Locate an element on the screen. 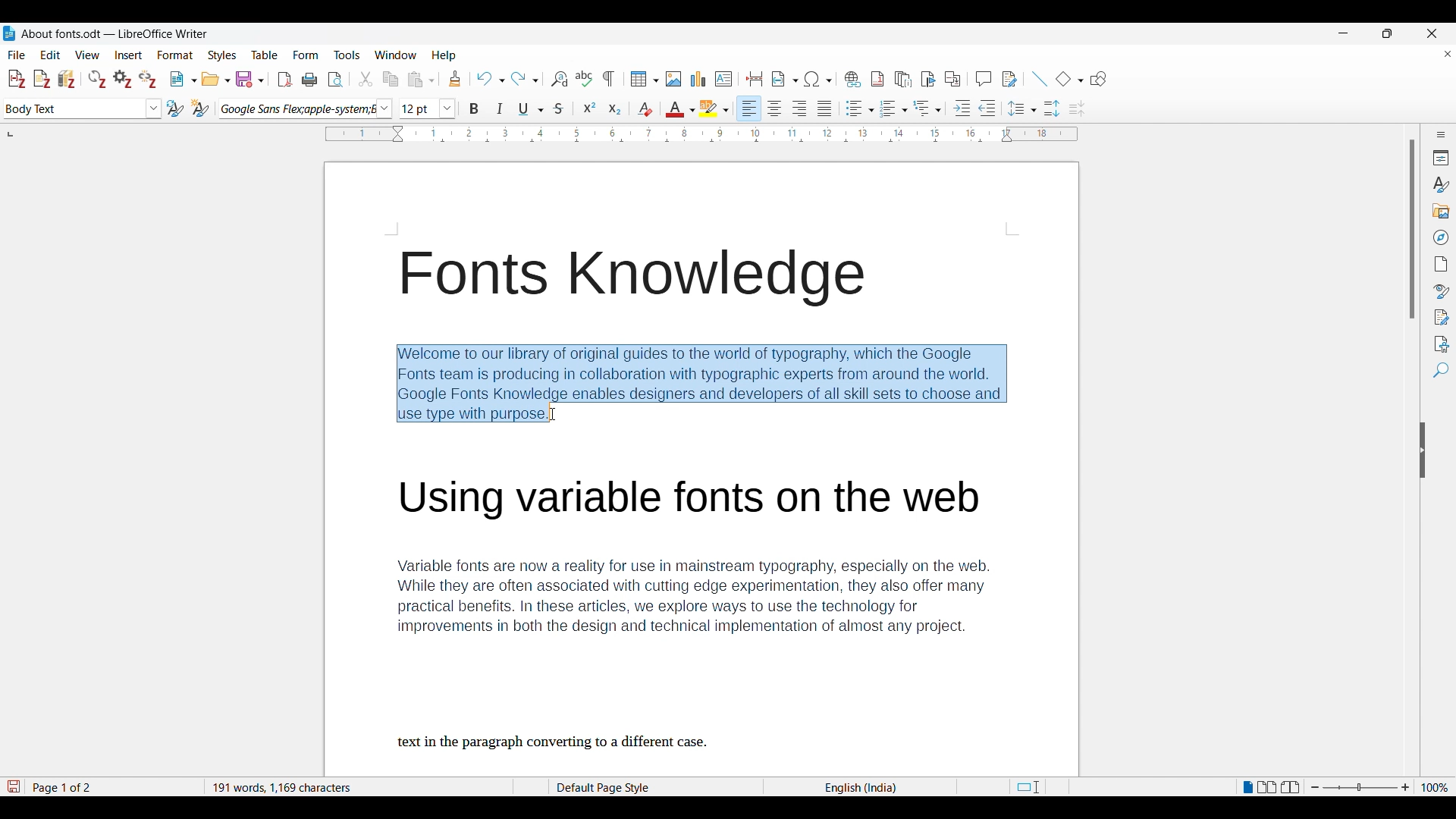 Image resolution: width=1456 pixels, height=819 pixels. Set line spacing options is located at coordinates (1022, 108).